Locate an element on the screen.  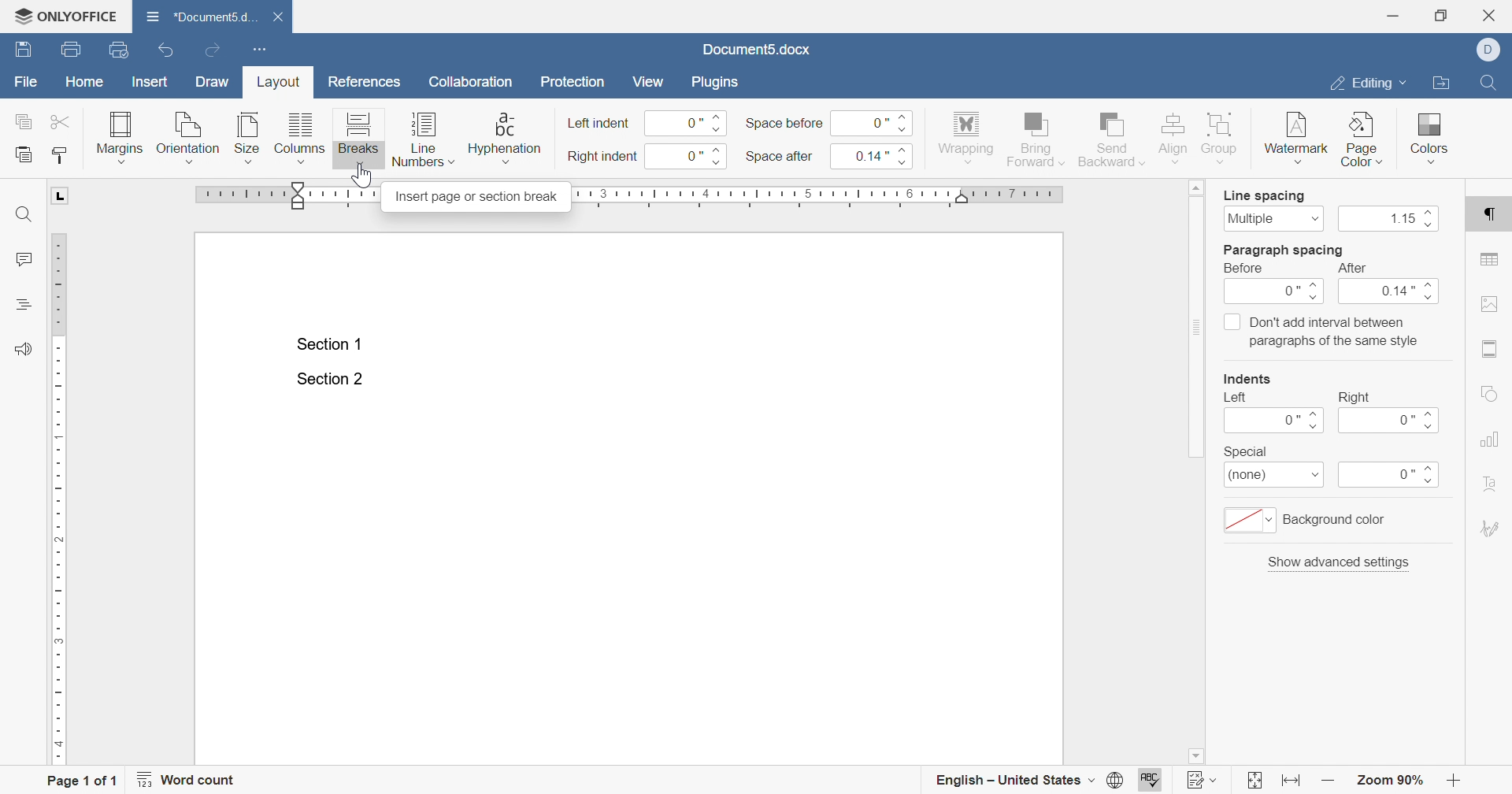
minimize is located at coordinates (1396, 15).